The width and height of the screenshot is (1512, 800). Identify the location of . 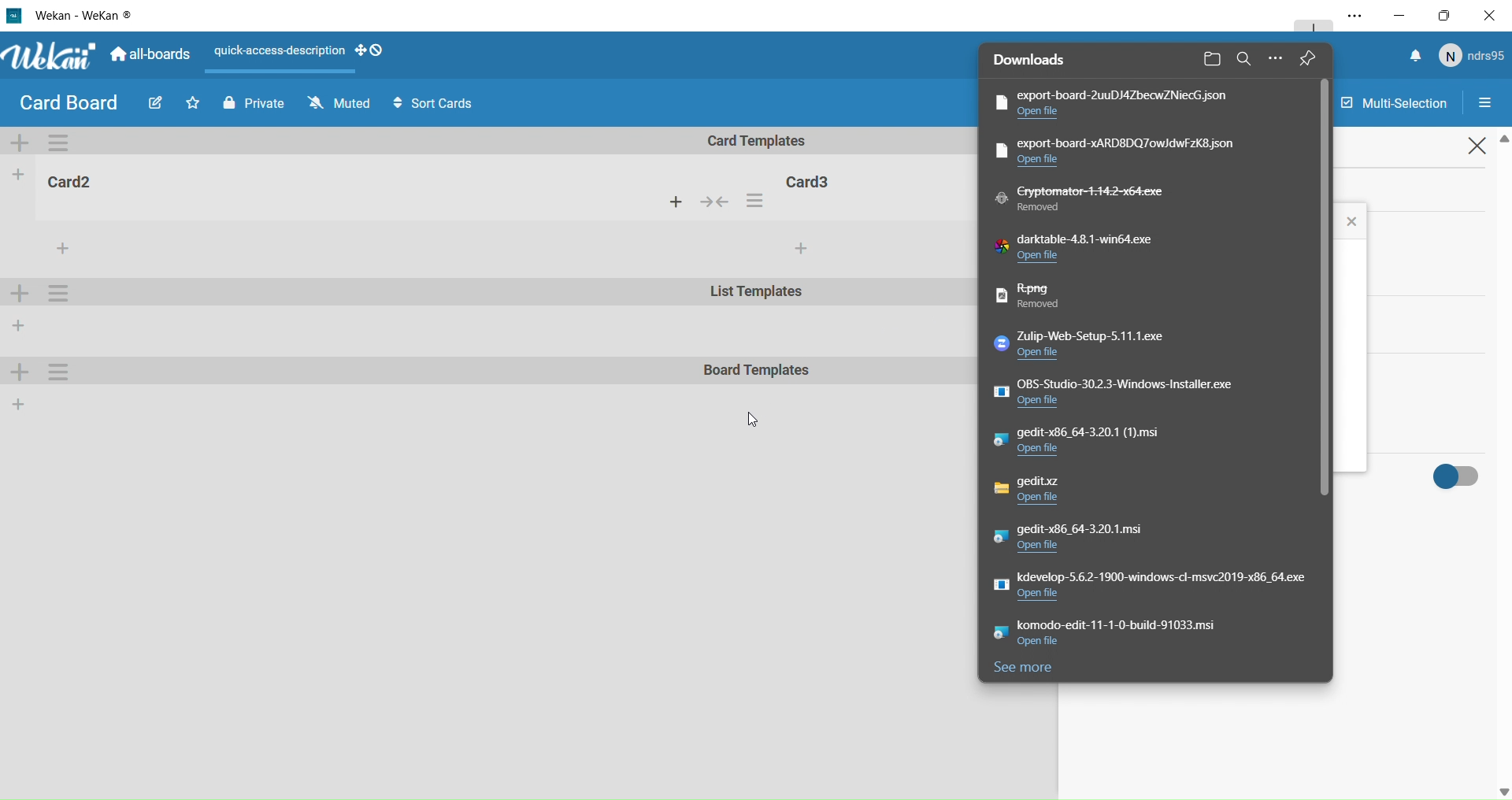
(62, 248).